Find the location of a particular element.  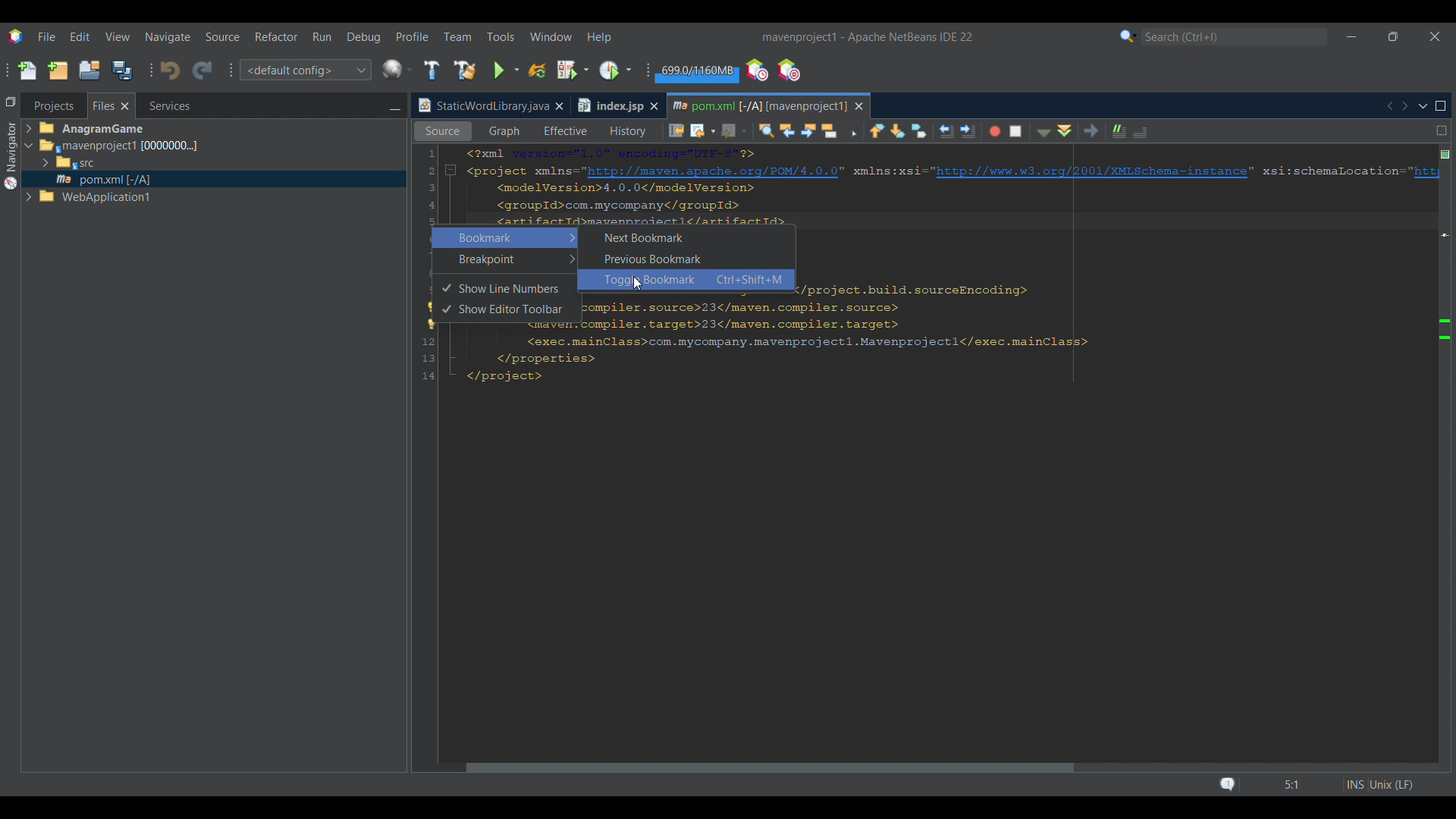

Find selection is located at coordinates (762, 130).